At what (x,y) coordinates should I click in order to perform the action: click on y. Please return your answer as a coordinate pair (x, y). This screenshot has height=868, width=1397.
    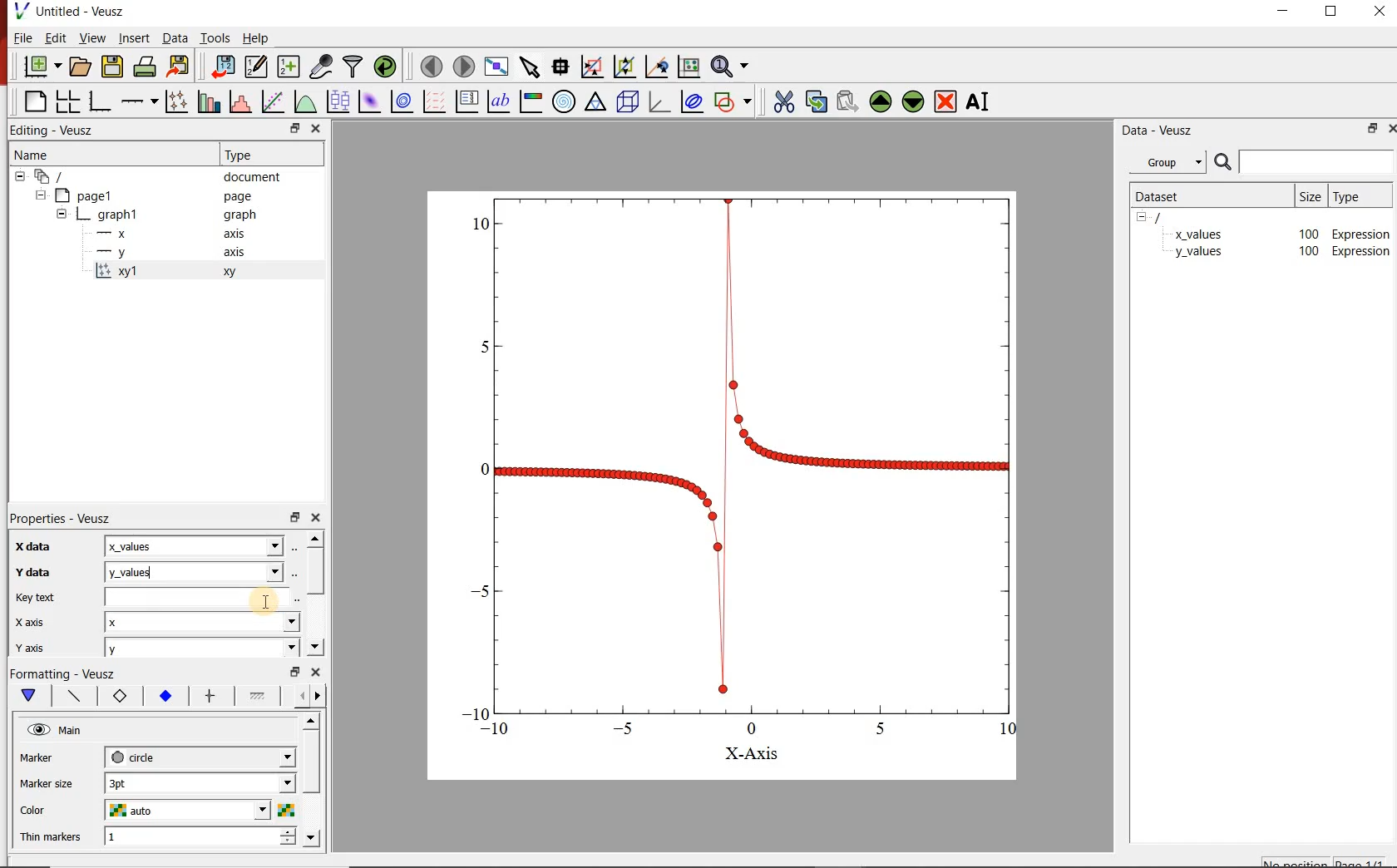
    Looking at the image, I should click on (202, 648).